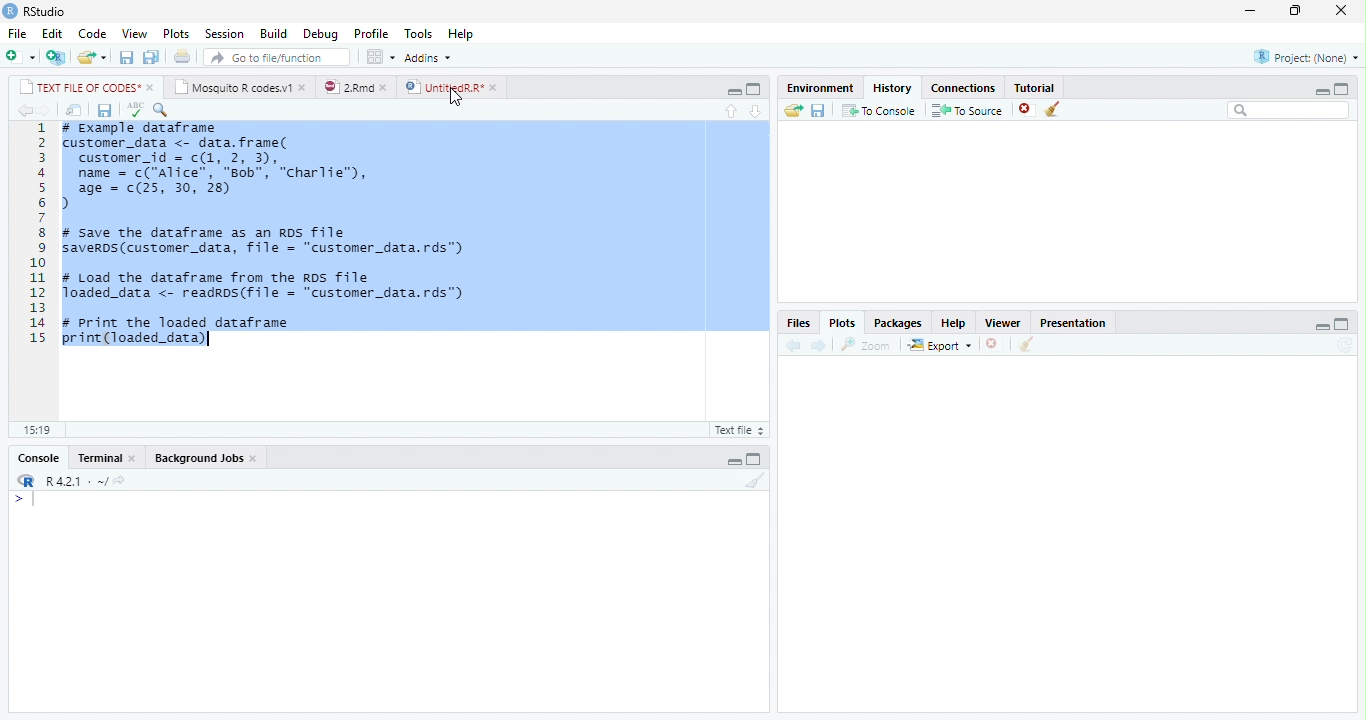 This screenshot has height=720, width=1366. What do you see at coordinates (1295, 11) in the screenshot?
I see `restore` at bounding box center [1295, 11].